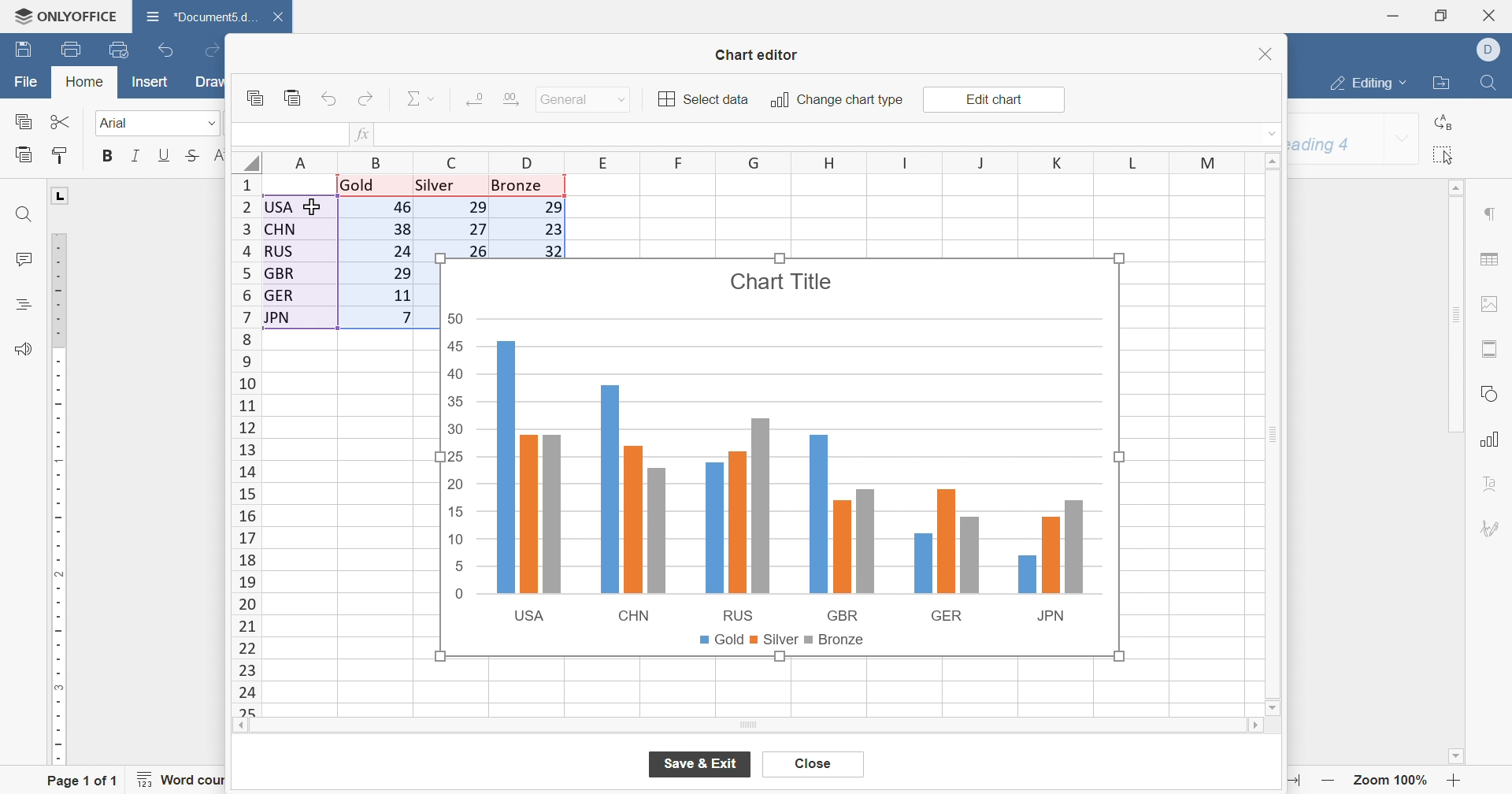 The height and width of the screenshot is (794, 1512). What do you see at coordinates (704, 99) in the screenshot?
I see `select data` at bounding box center [704, 99].